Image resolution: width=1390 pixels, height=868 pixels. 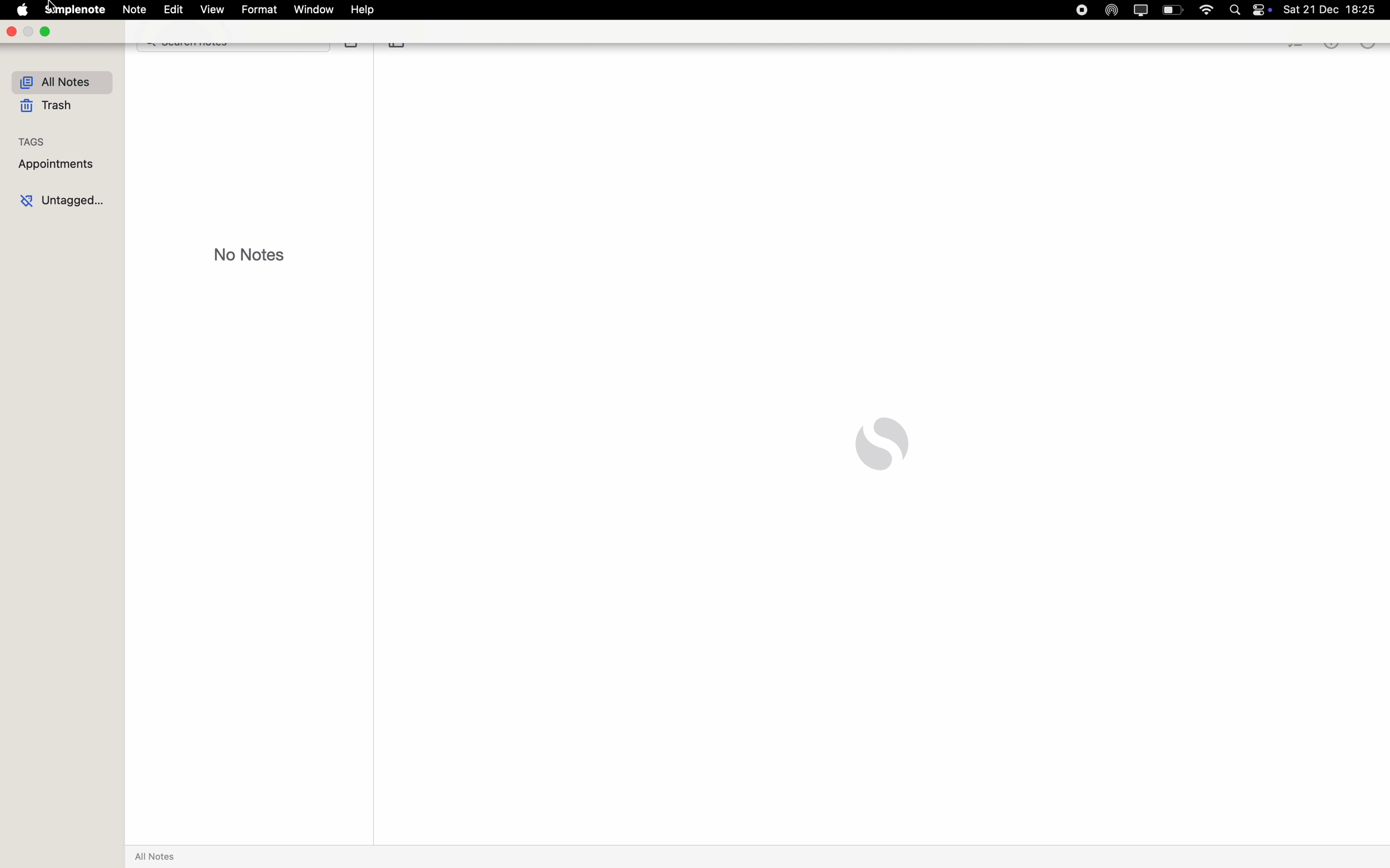 I want to click on help, so click(x=366, y=10).